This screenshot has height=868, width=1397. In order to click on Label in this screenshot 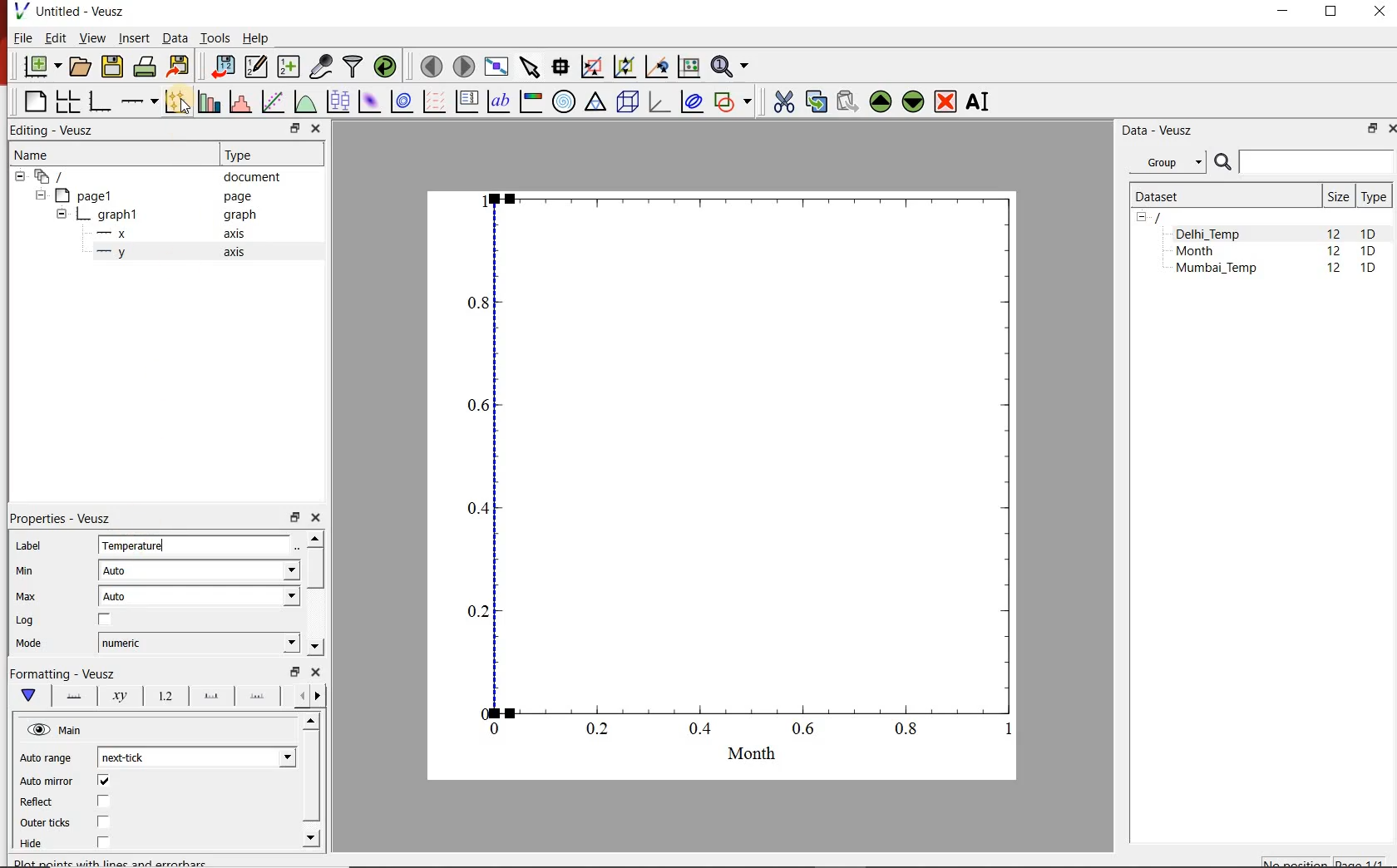, I will do `click(27, 545)`.